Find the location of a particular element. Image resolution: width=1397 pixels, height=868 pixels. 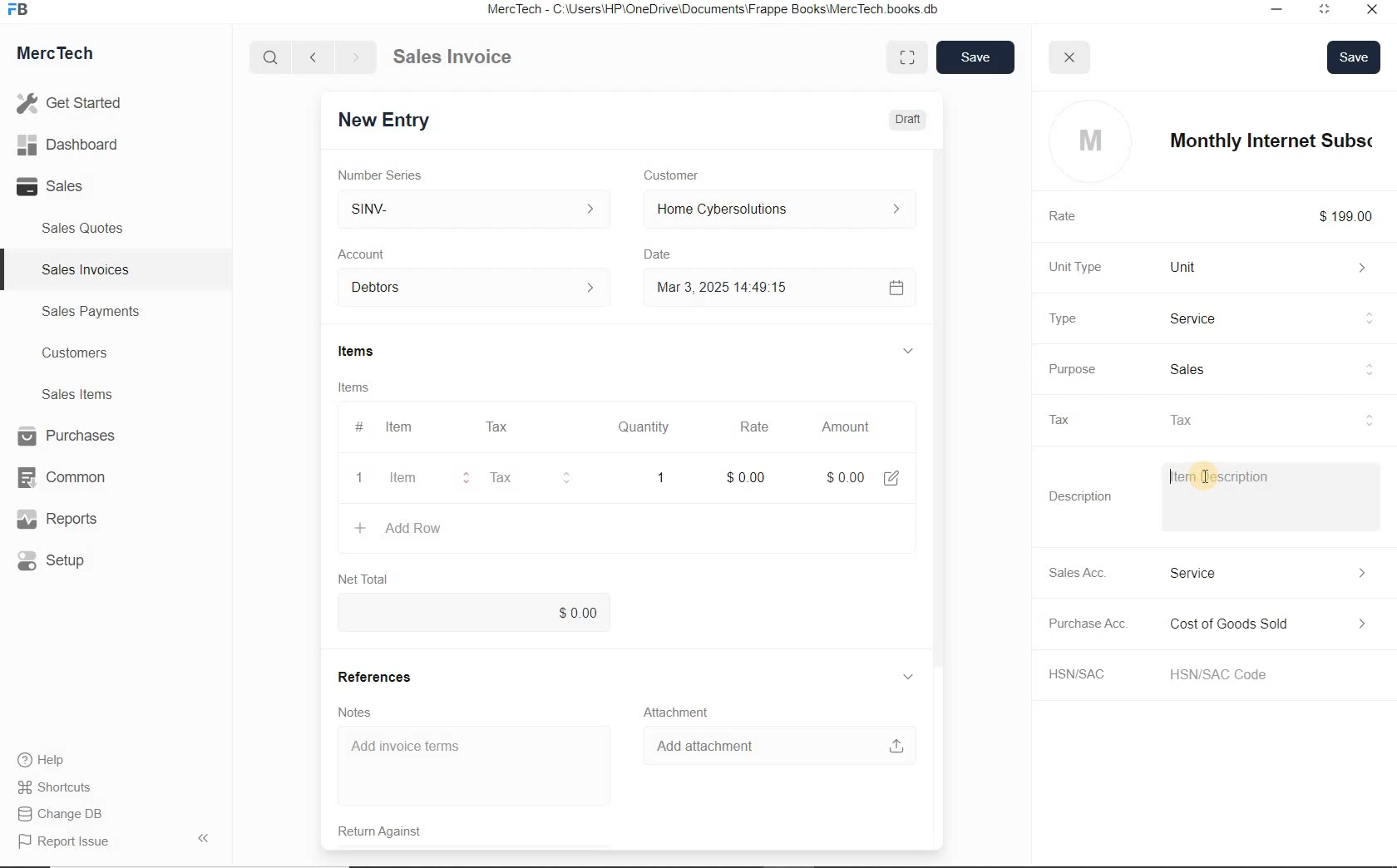

+ Add Row is located at coordinates (417, 529).